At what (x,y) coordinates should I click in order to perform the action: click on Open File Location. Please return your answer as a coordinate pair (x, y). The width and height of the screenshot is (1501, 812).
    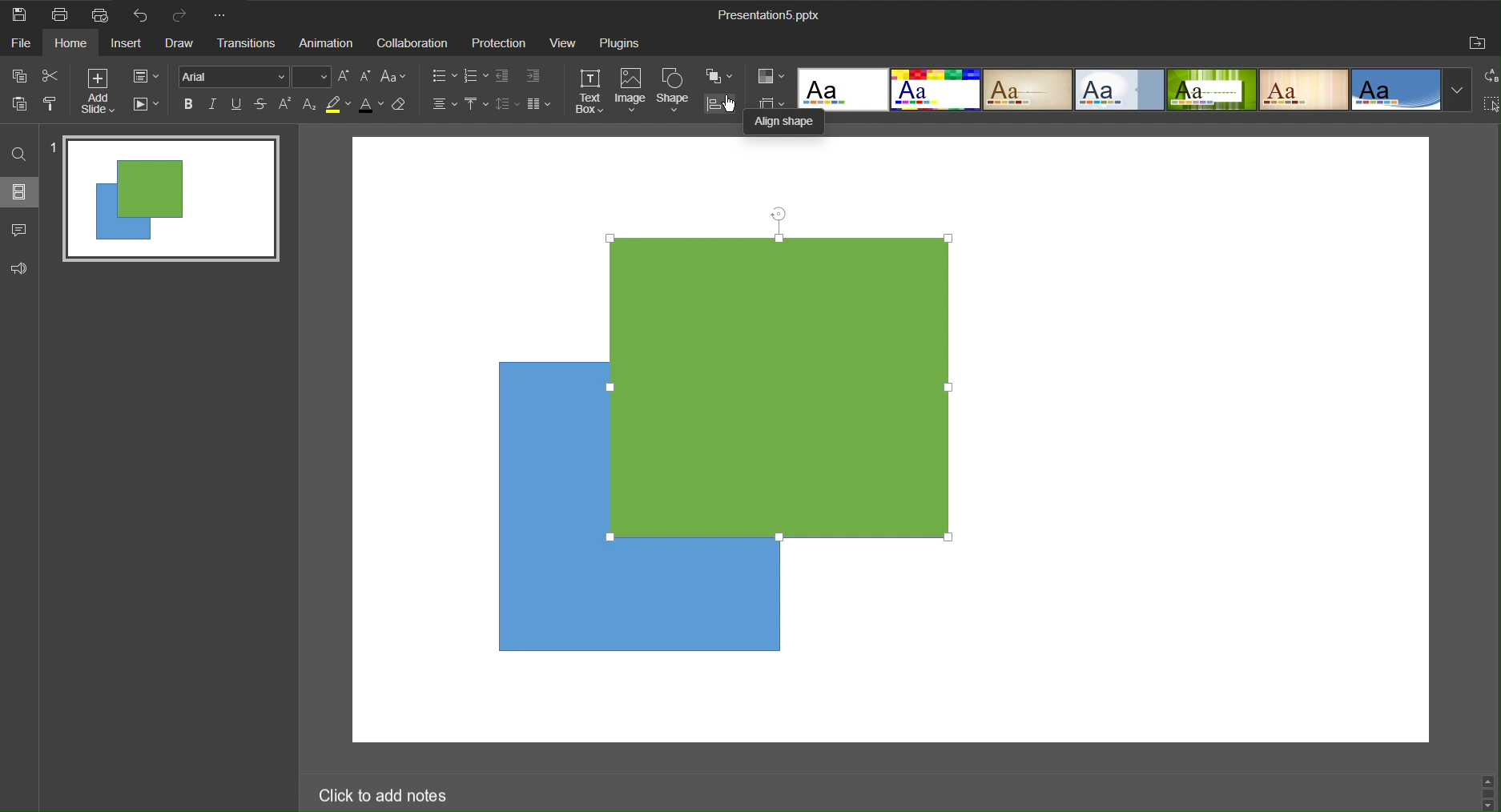
    Looking at the image, I should click on (1478, 45).